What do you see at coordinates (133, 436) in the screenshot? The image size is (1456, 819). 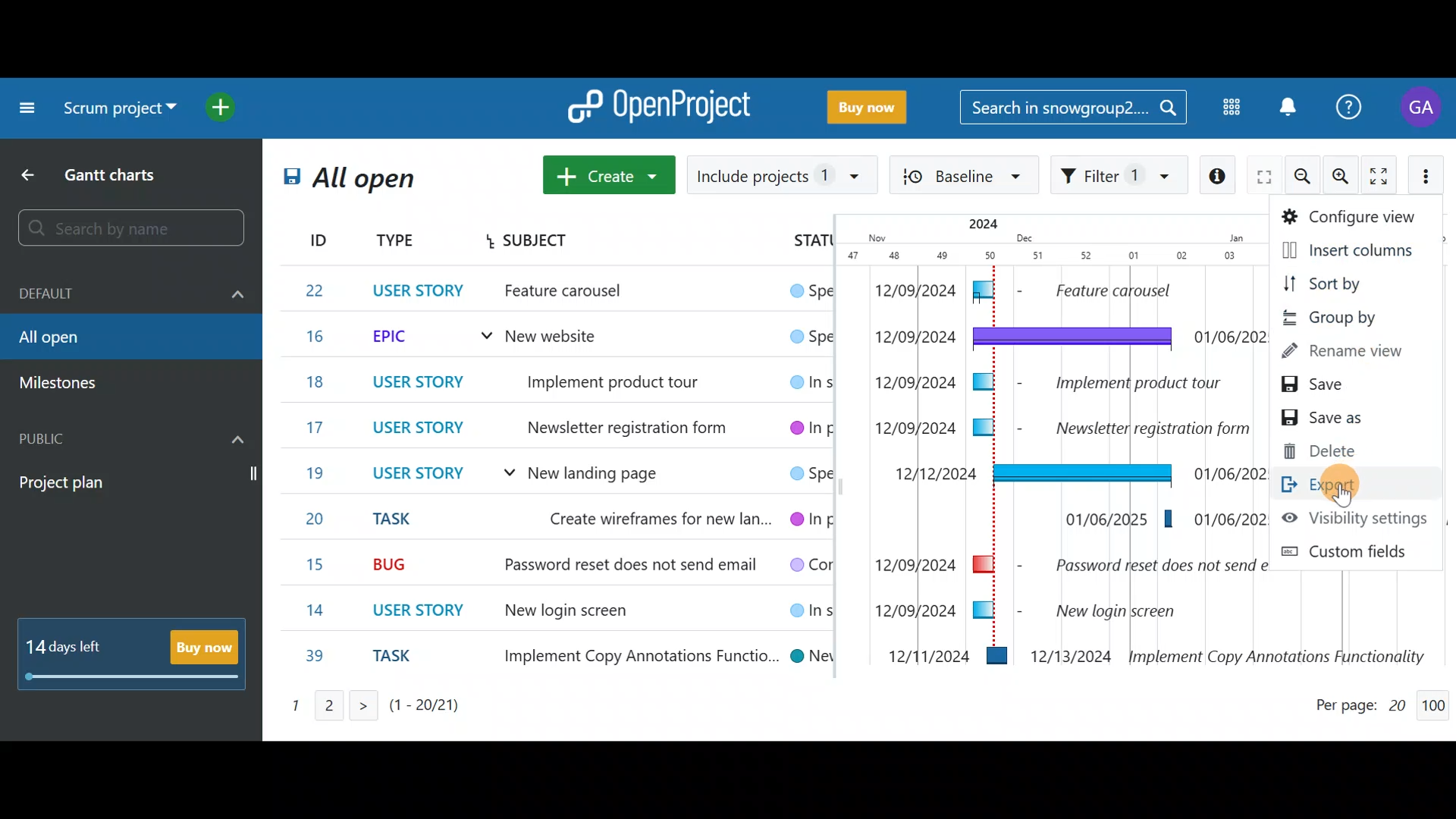 I see `Public` at bounding box center [133, 436].